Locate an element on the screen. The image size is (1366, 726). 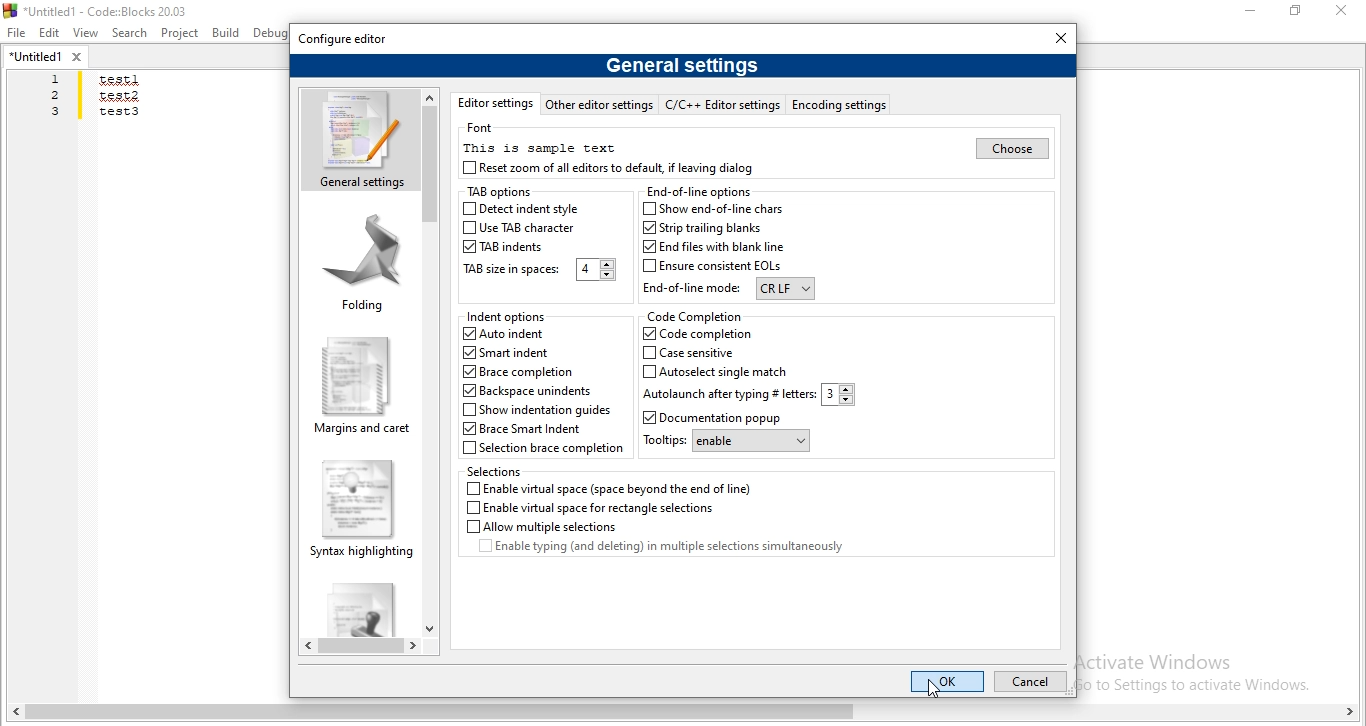
TAB options is located at coordinates (497, 193).